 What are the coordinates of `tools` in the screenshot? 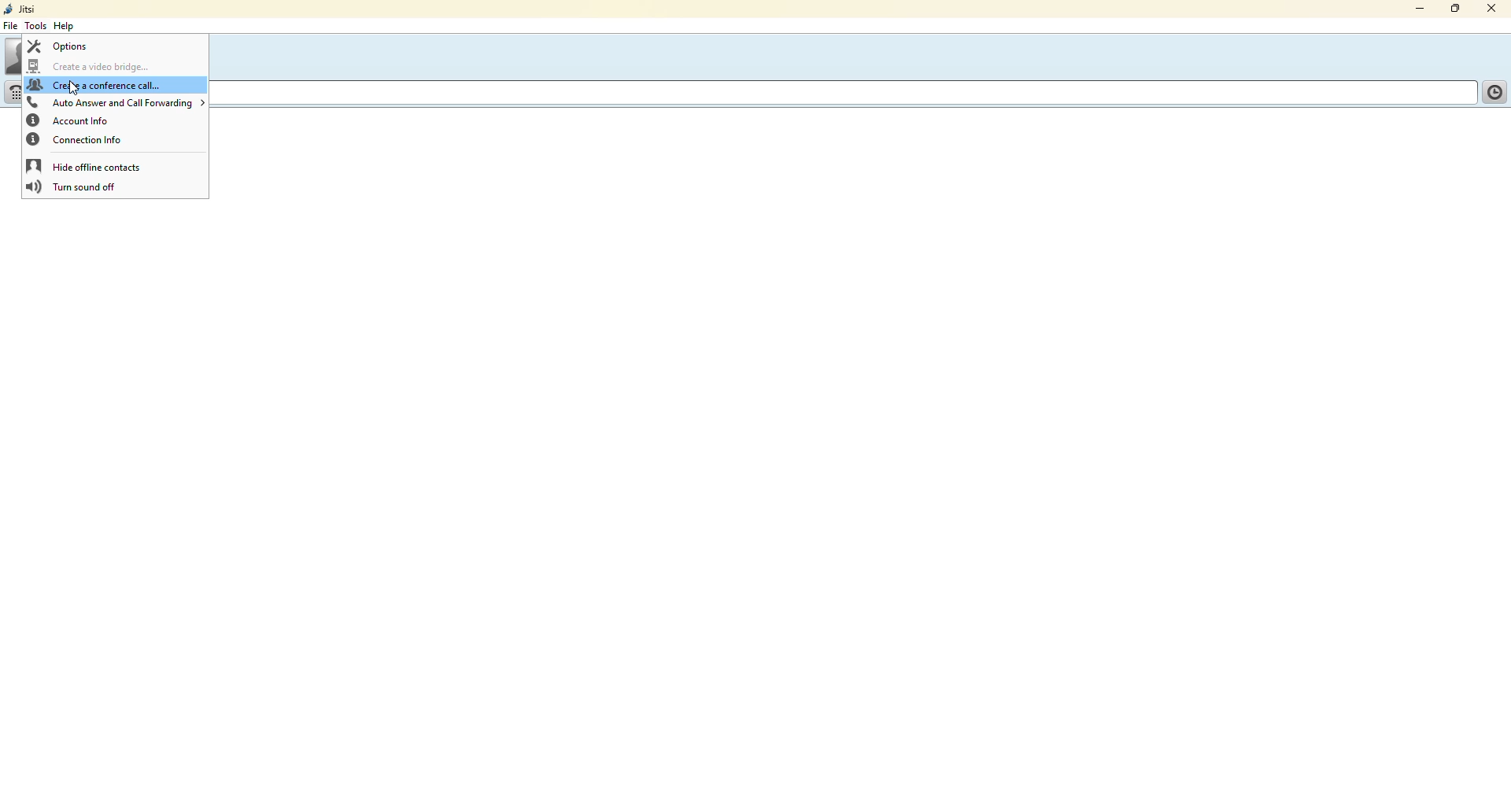 It's located at (36, 26).